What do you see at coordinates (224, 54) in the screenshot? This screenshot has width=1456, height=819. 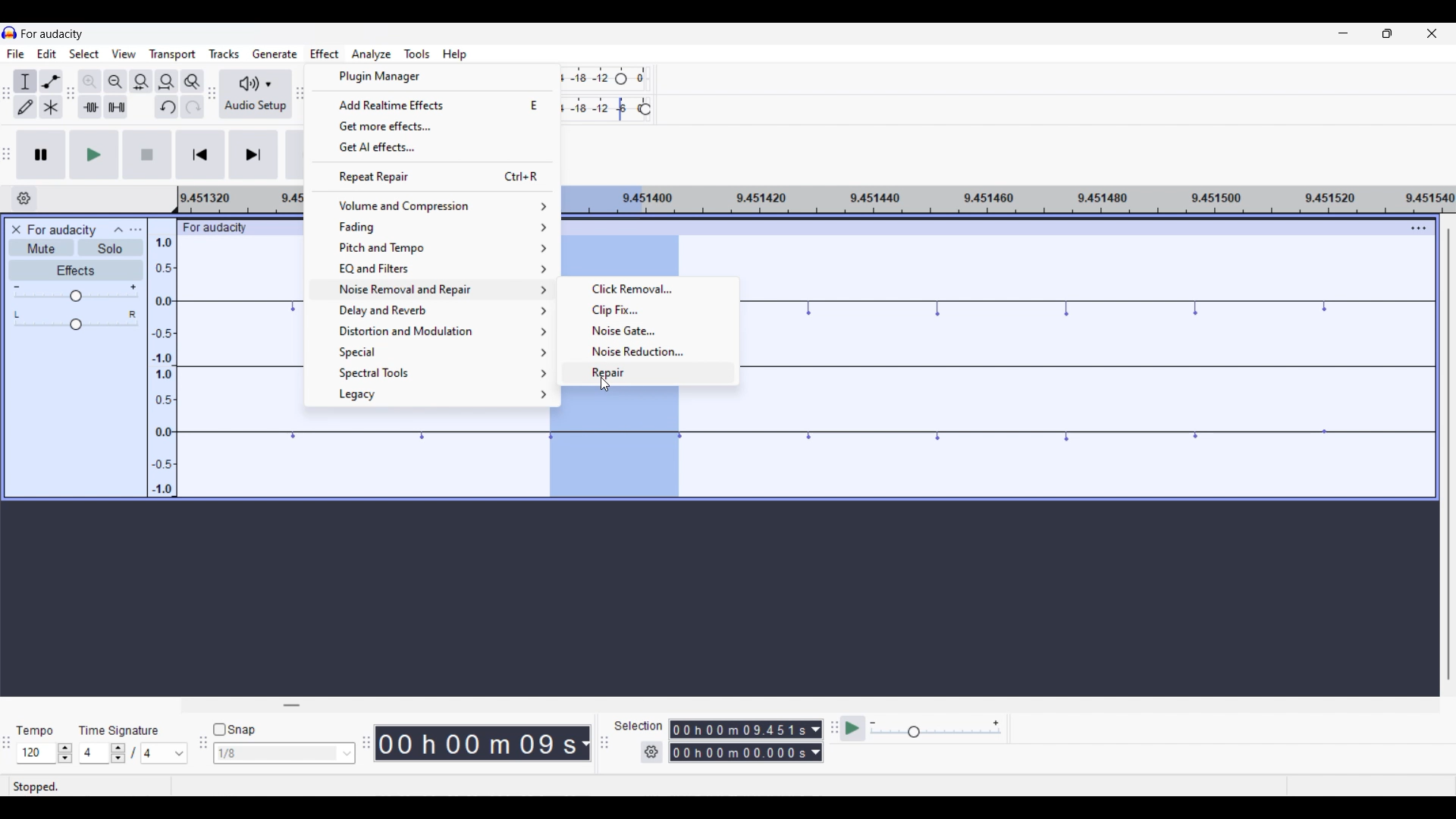 I see `Tracks menu` at bounding box center [224, 54].